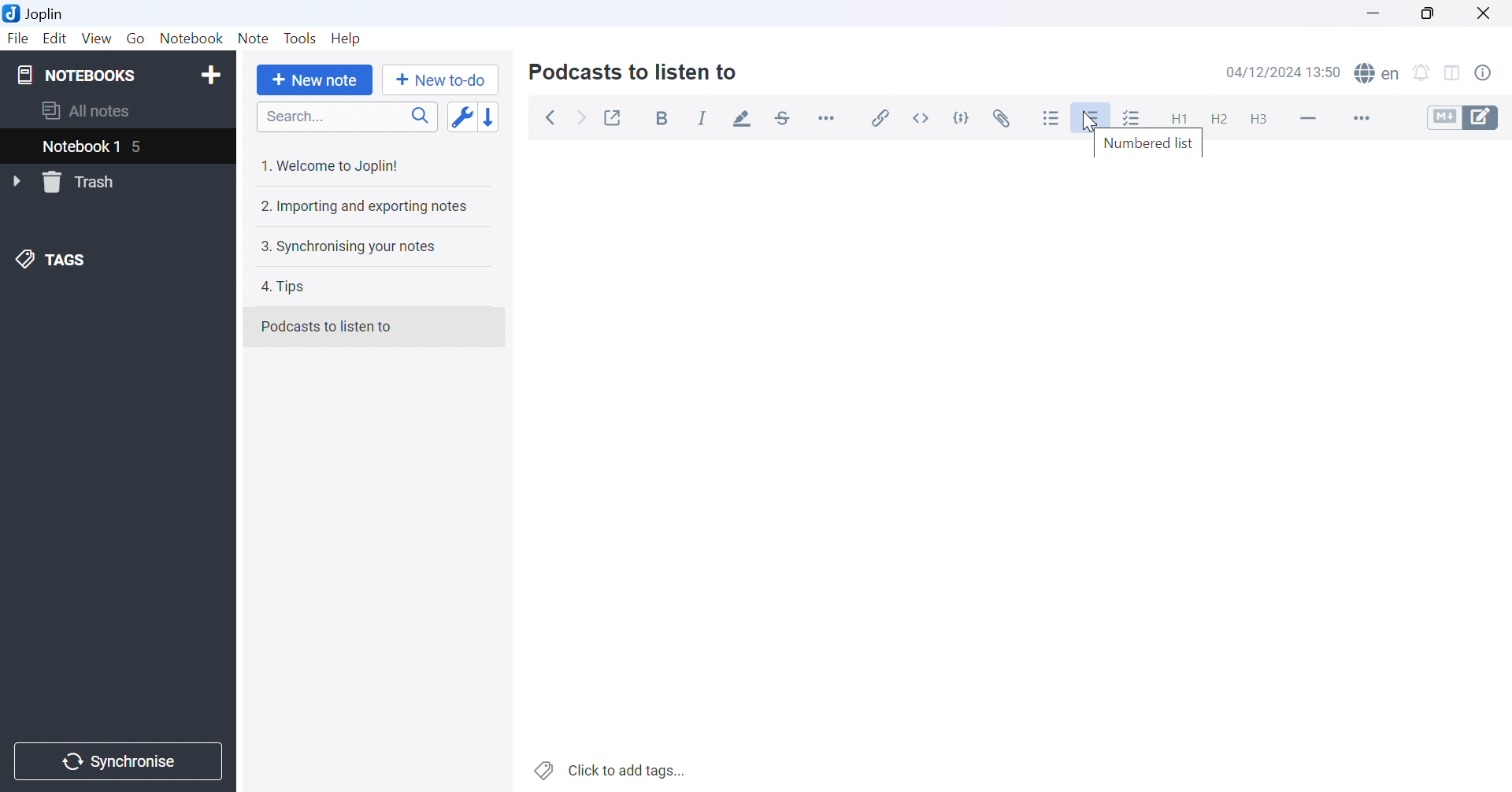  I want to click on Add notebook, so click(210, 77).